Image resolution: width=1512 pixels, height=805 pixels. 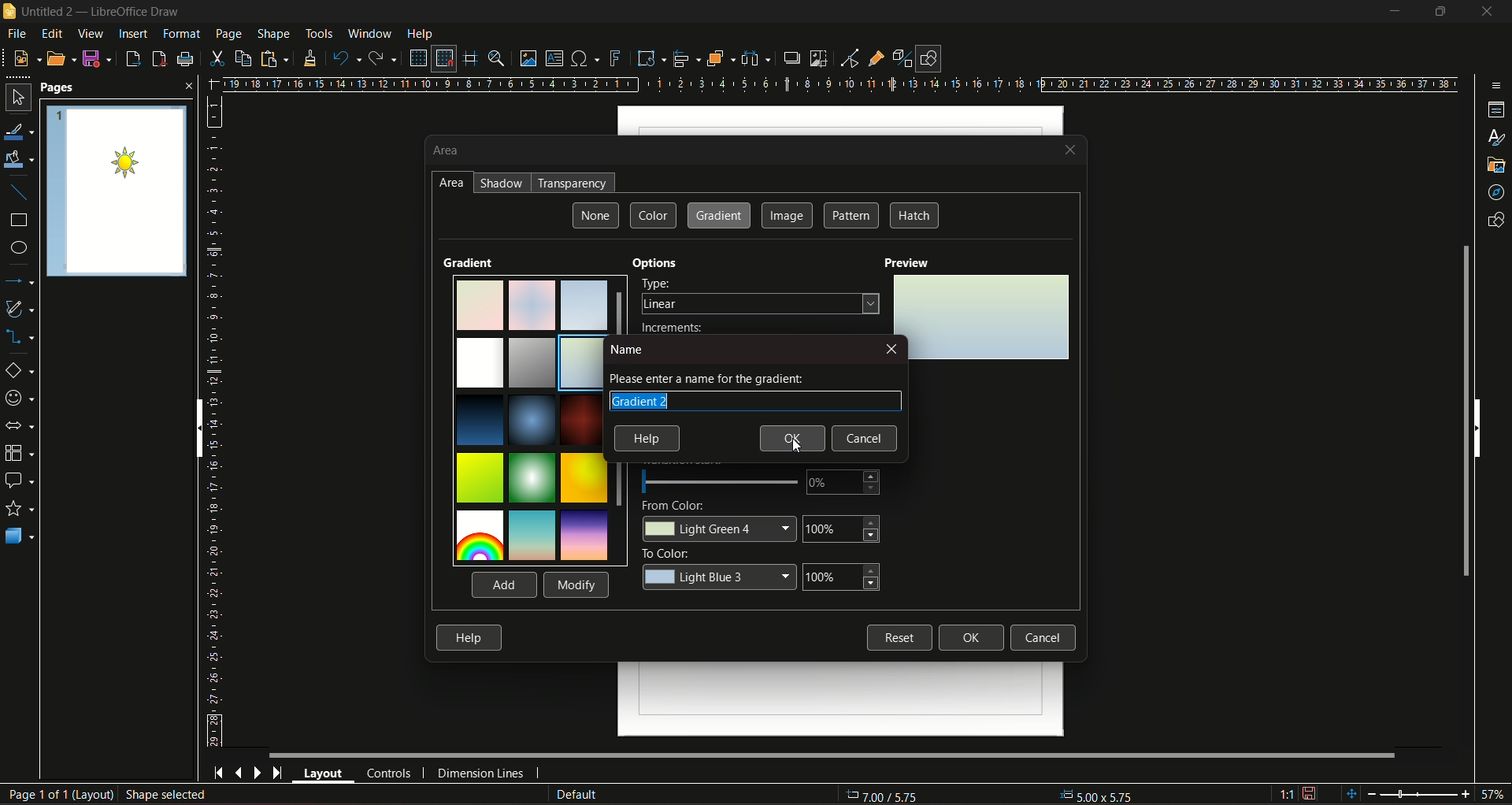 What do you see at coordinates (706, 378) in the screenshot?
I see `text` at bounding box center [706, 378].